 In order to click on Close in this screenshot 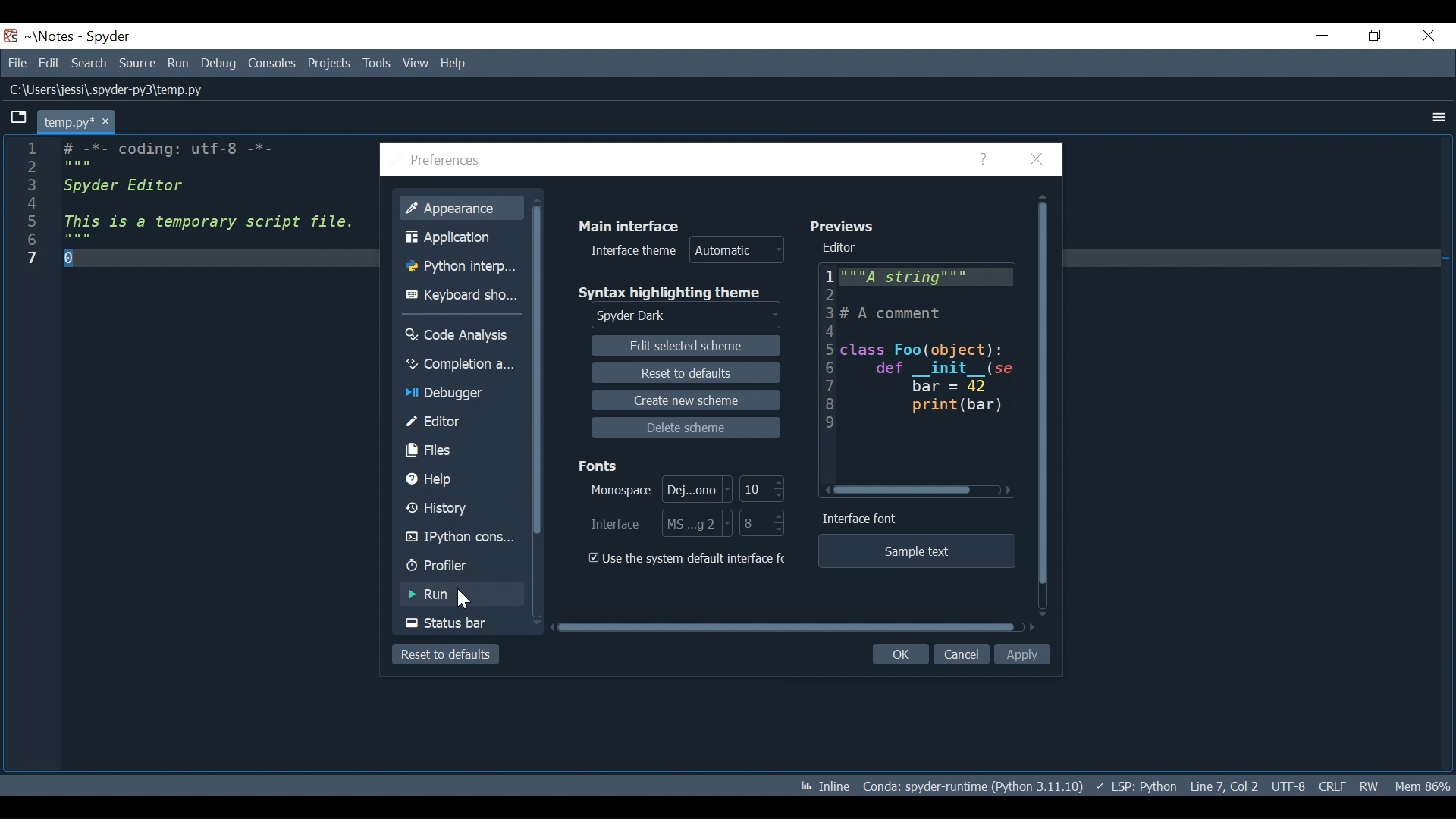, I will do `click(1040, 159)`.